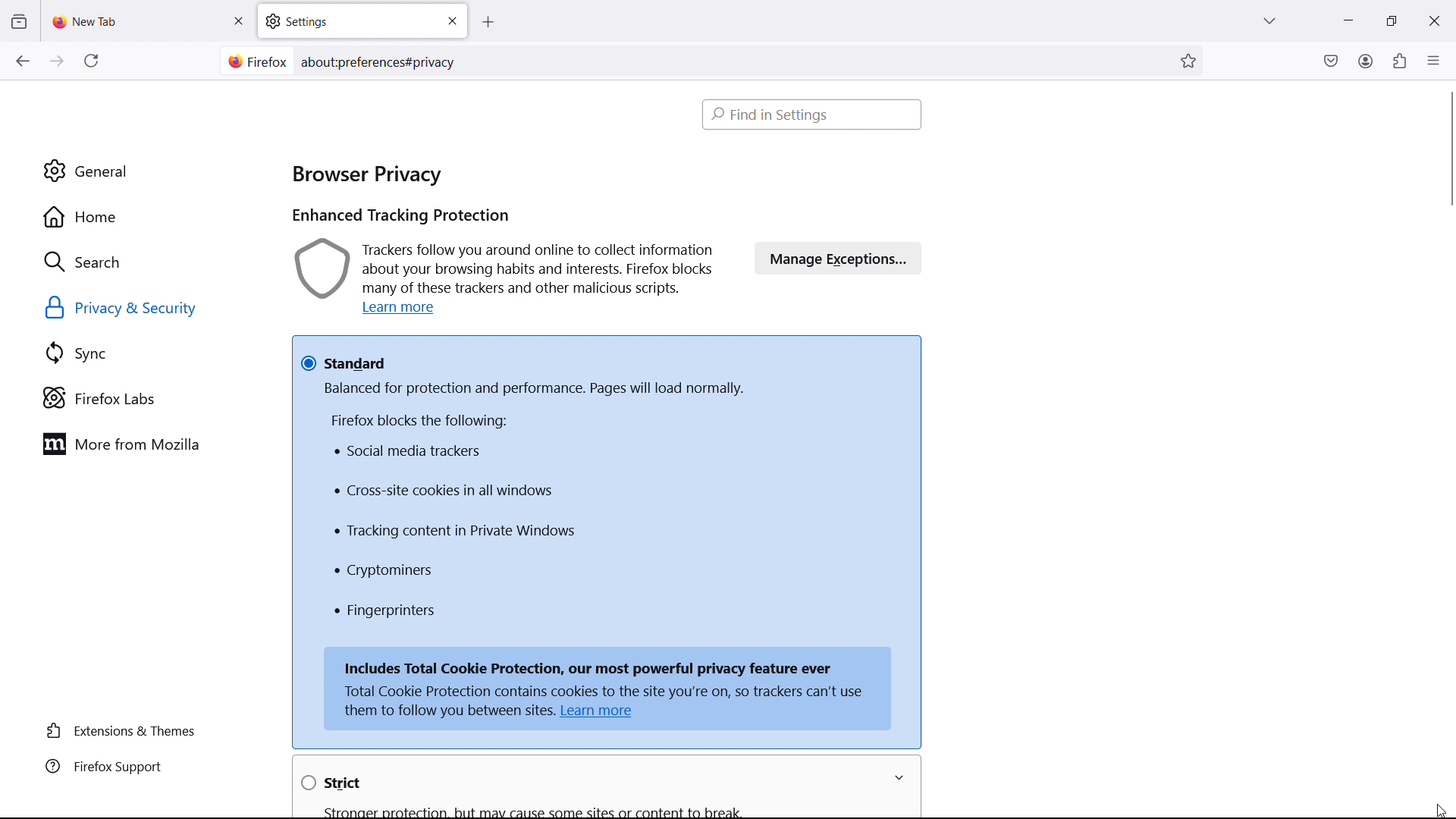 The height and width of the screenshot is (819, 1456). Describe the element at coordinates (907, 778) in the screenshot. I see `more information` at that location.